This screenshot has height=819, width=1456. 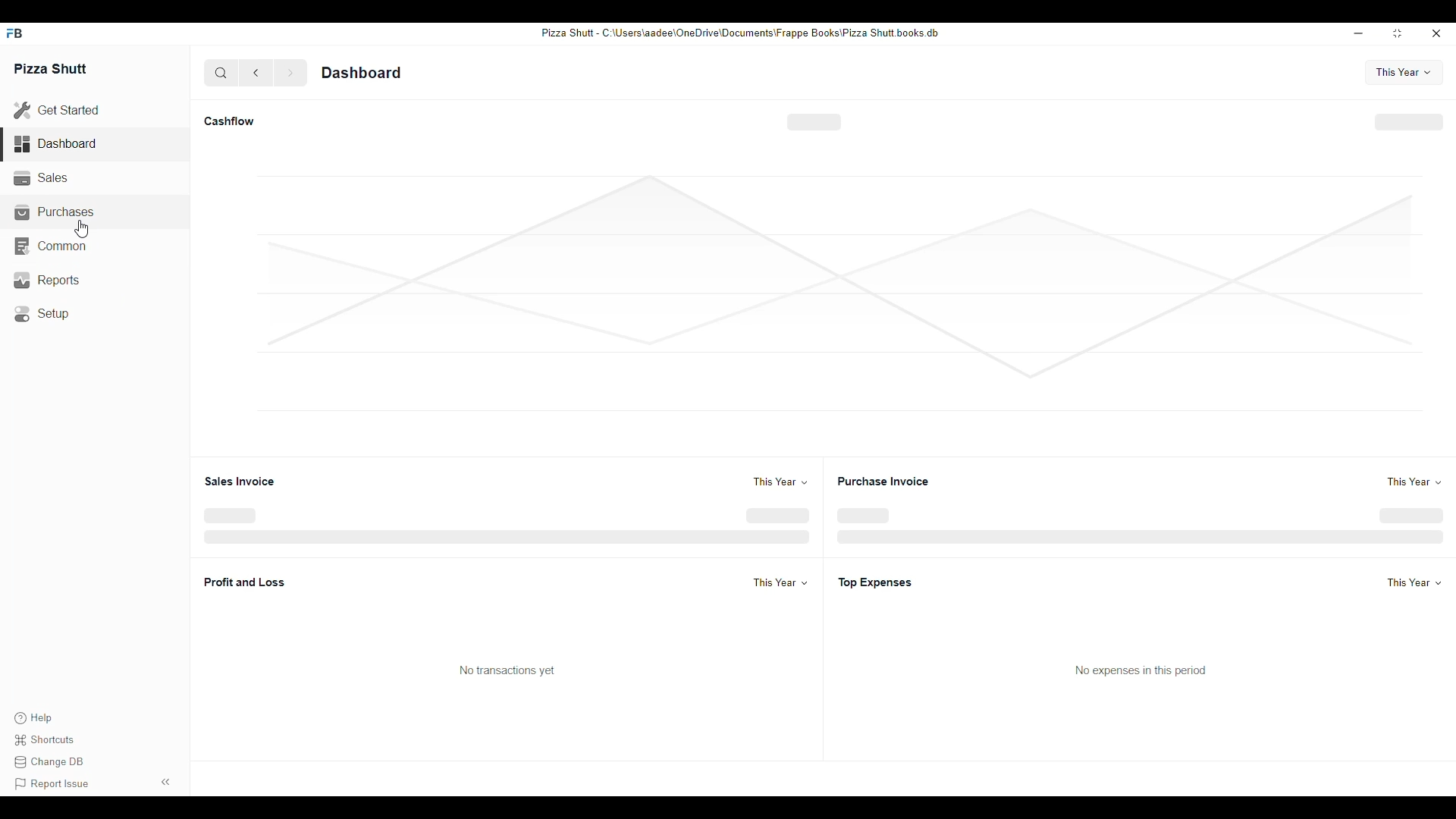 I want to click on back, so click(x=259, y=73).